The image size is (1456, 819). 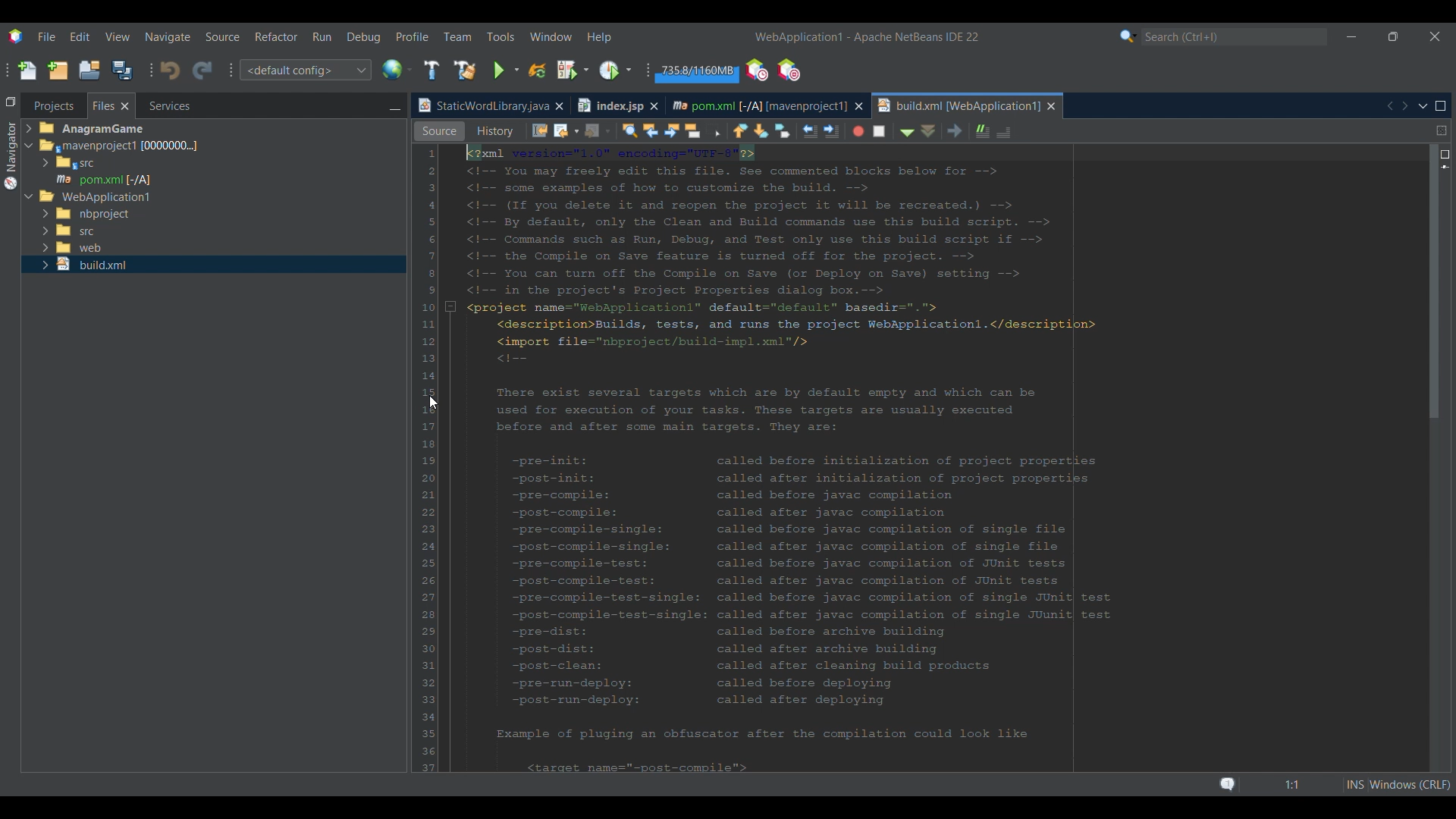 I want to click on Current tab highlighted, so click(x=758, y=104).